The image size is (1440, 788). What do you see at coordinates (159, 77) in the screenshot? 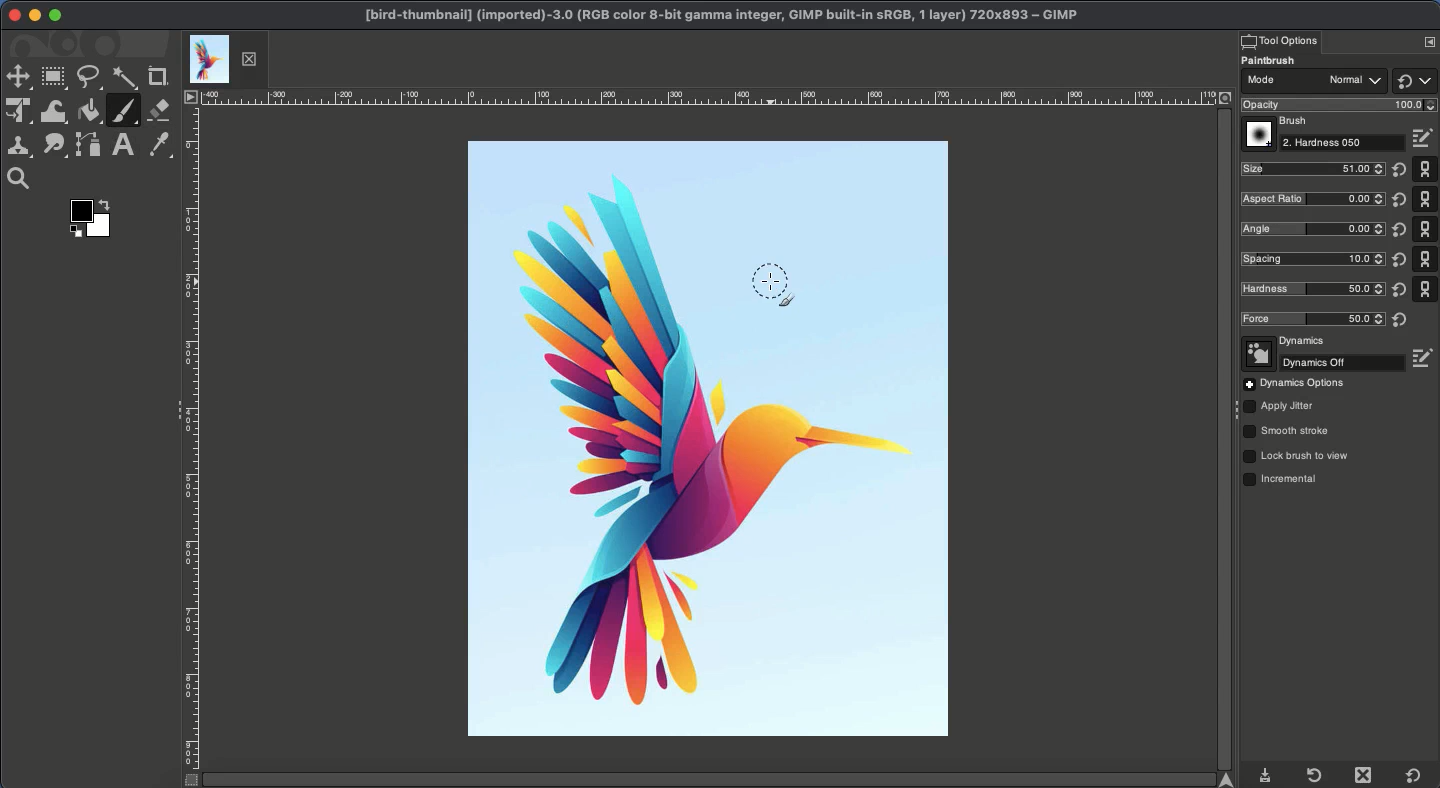
I see `Crop` at bounding box center [159, 77].